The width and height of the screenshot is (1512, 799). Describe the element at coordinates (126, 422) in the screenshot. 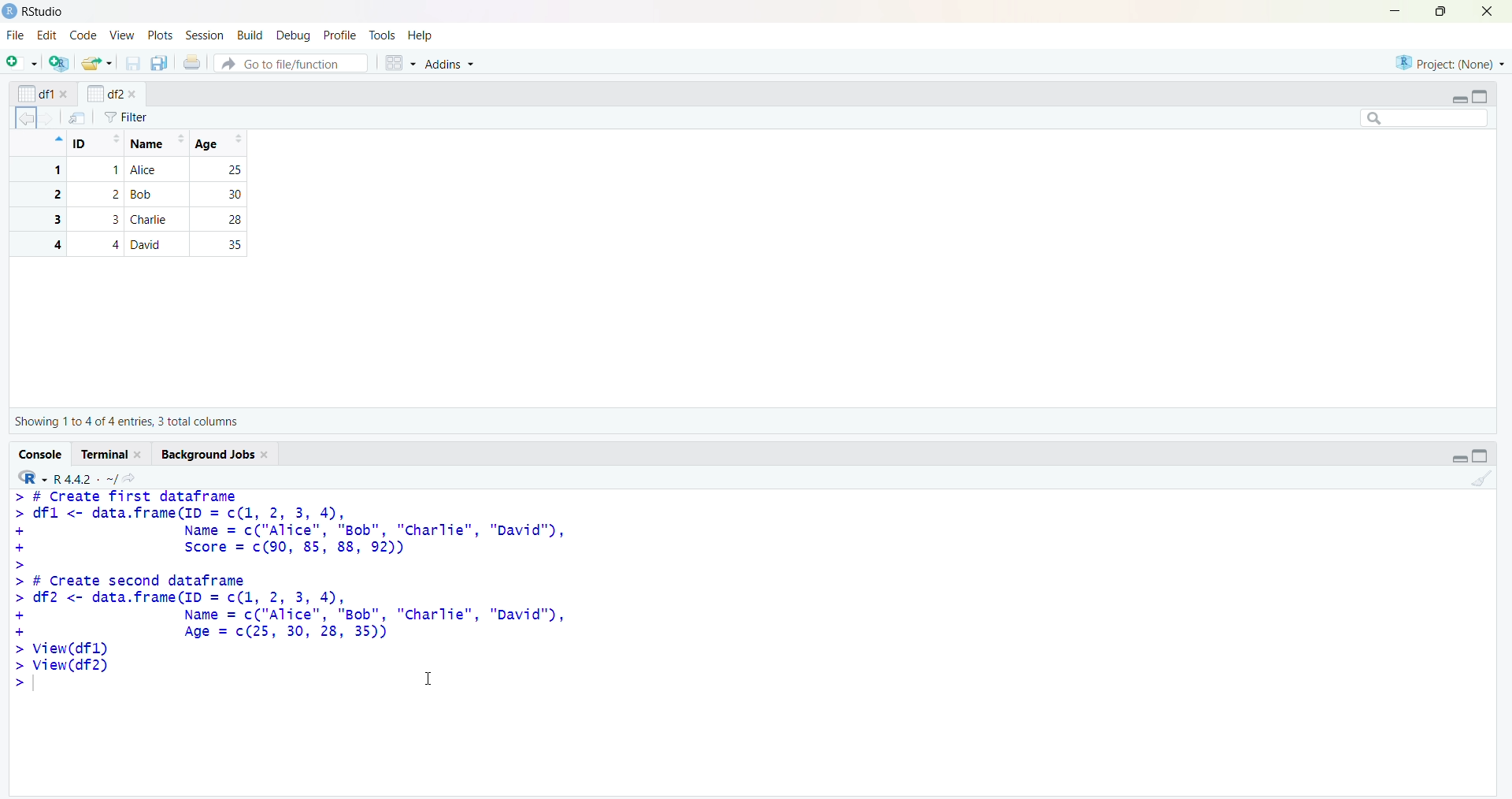

I see `Showing 1 to 4 of 4 entries, 3 total columns` at that location.